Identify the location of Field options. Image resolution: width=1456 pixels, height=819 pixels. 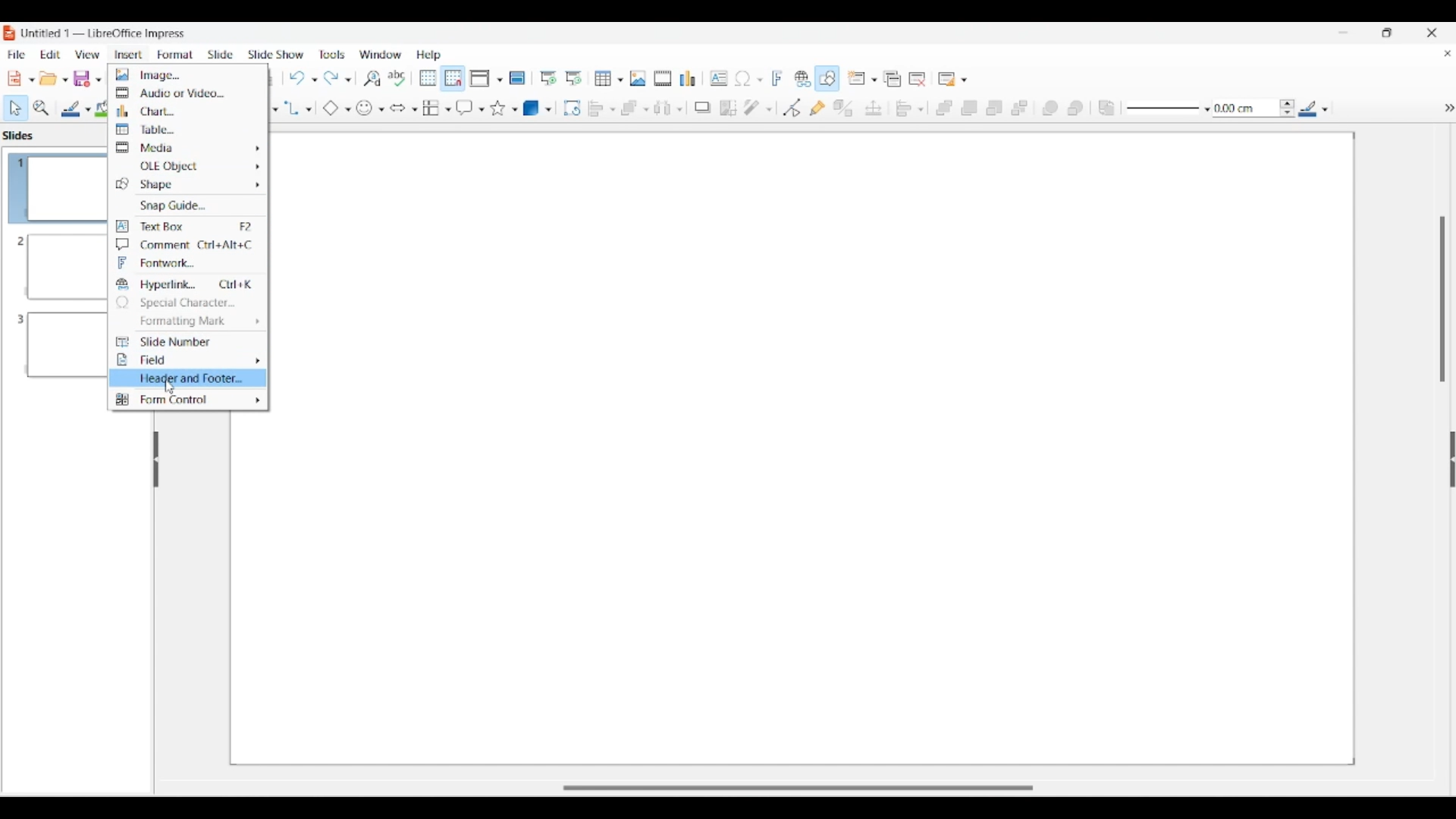
(188, 360).